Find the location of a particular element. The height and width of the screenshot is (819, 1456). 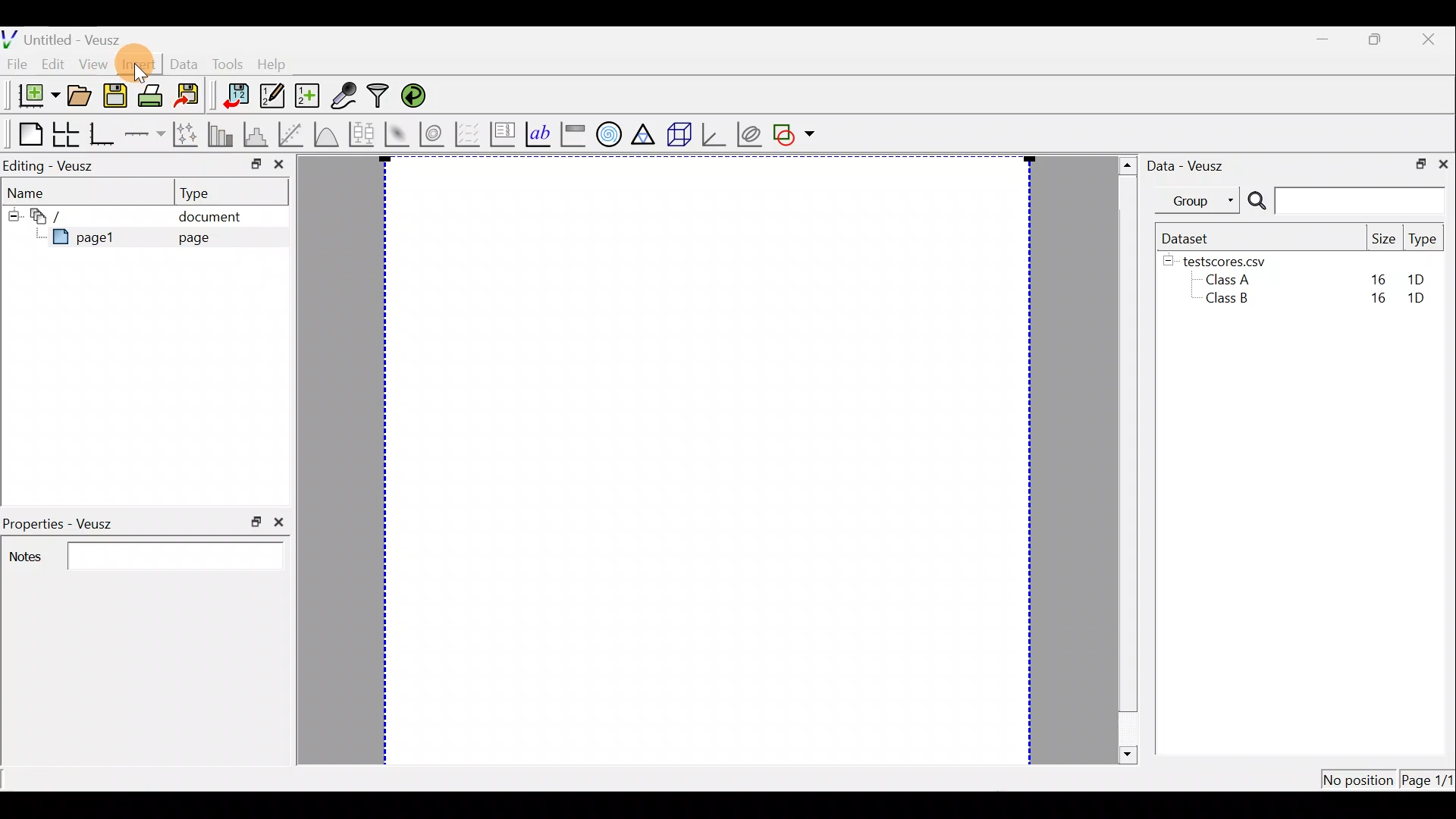

Create new dataset using ranges, parametrically, or as functions of existing datasets. is located at coordinates (305, 95).